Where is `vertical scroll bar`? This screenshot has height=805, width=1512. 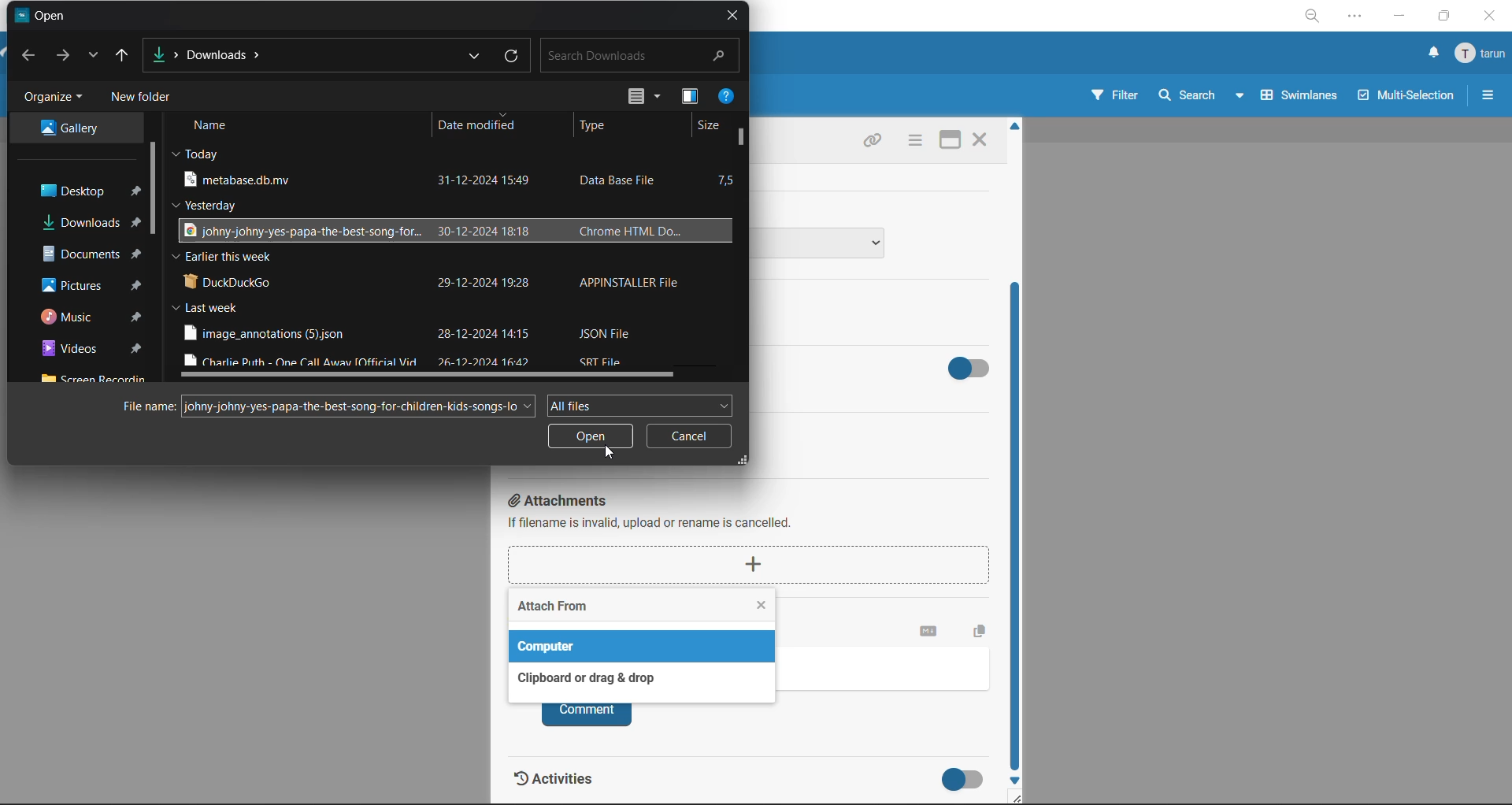
vertical scroll bar is located at coordinates (746, 140).